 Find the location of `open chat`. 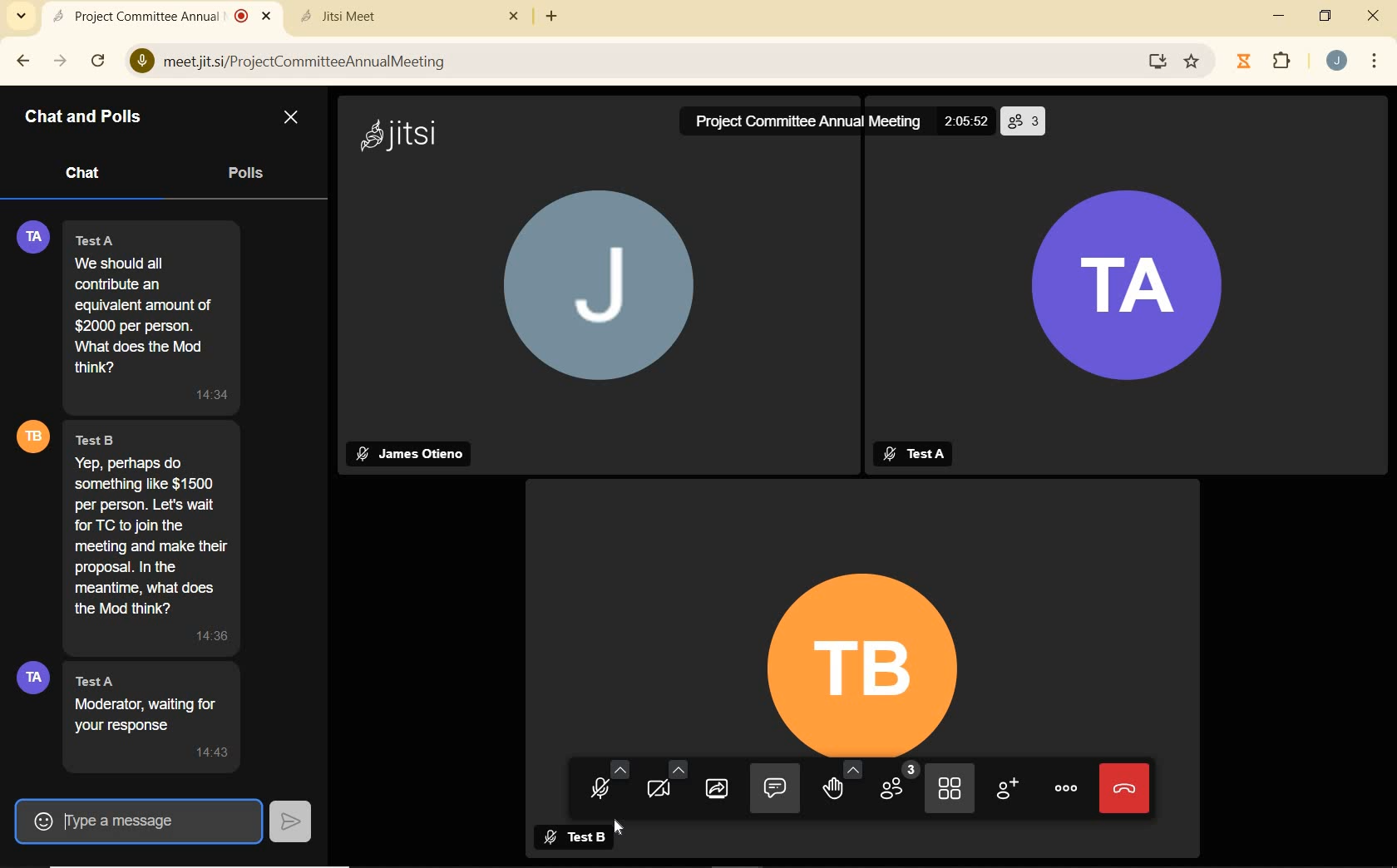

open chat is located at coordinates (597, 698).